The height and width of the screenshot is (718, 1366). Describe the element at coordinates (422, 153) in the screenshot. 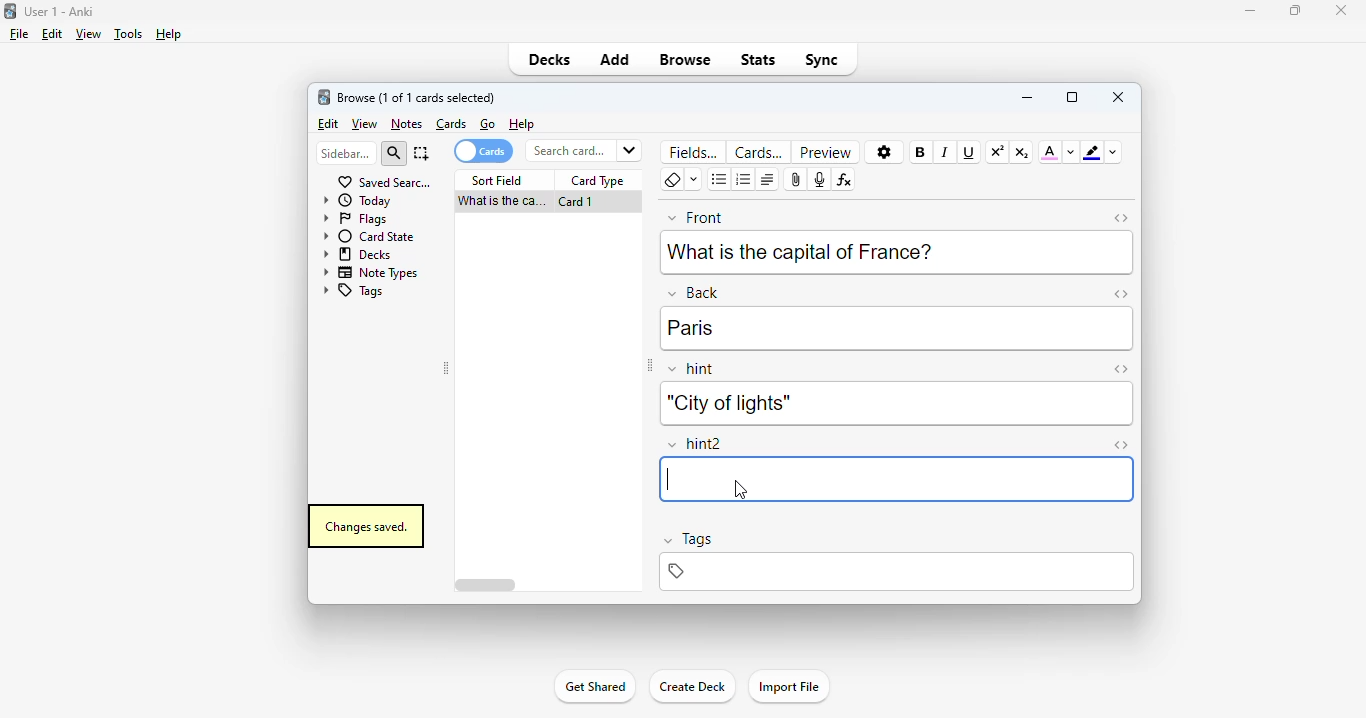

I see `select` at that location.